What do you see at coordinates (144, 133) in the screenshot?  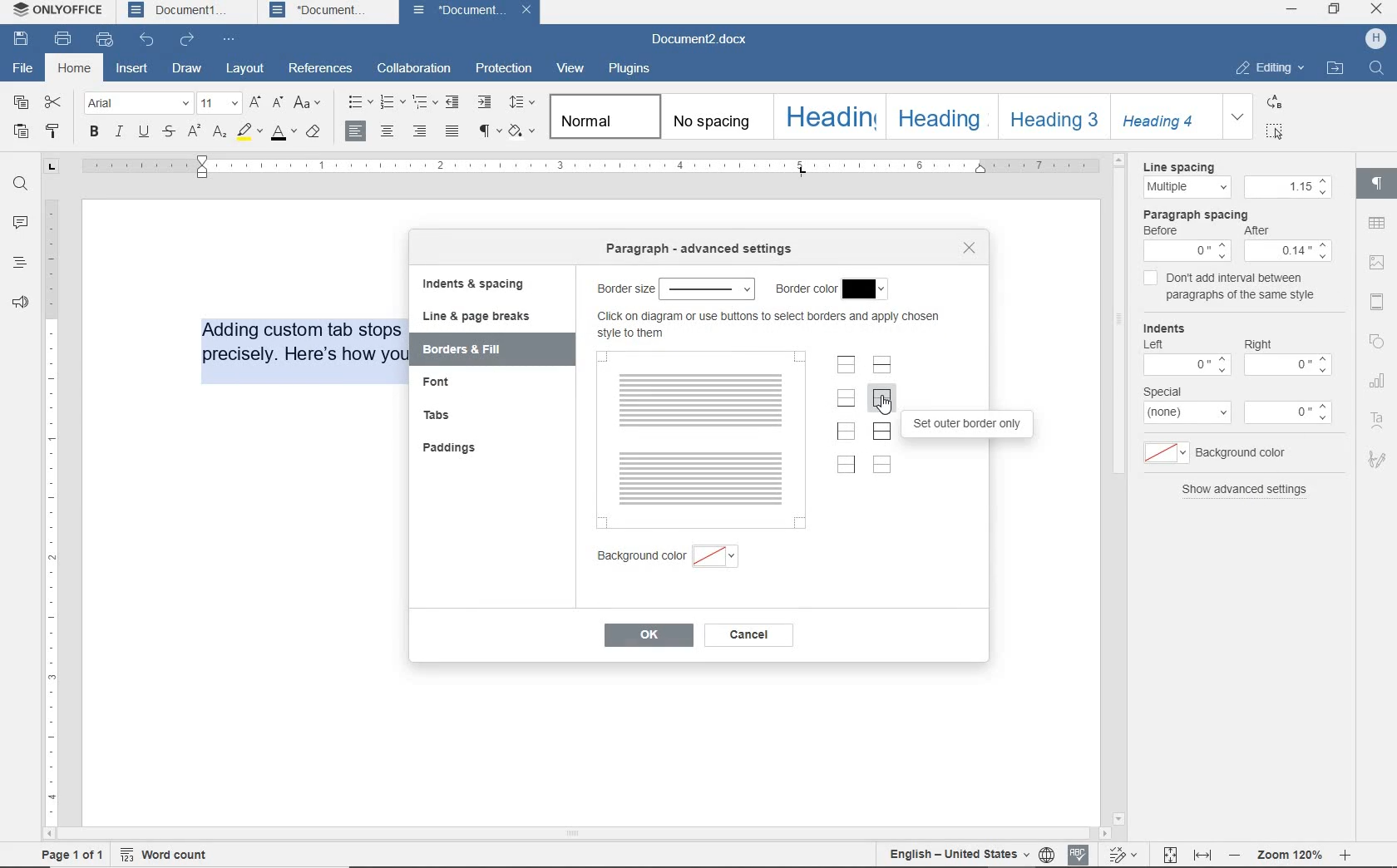 I see `underline` at bounding box center [144, 133].